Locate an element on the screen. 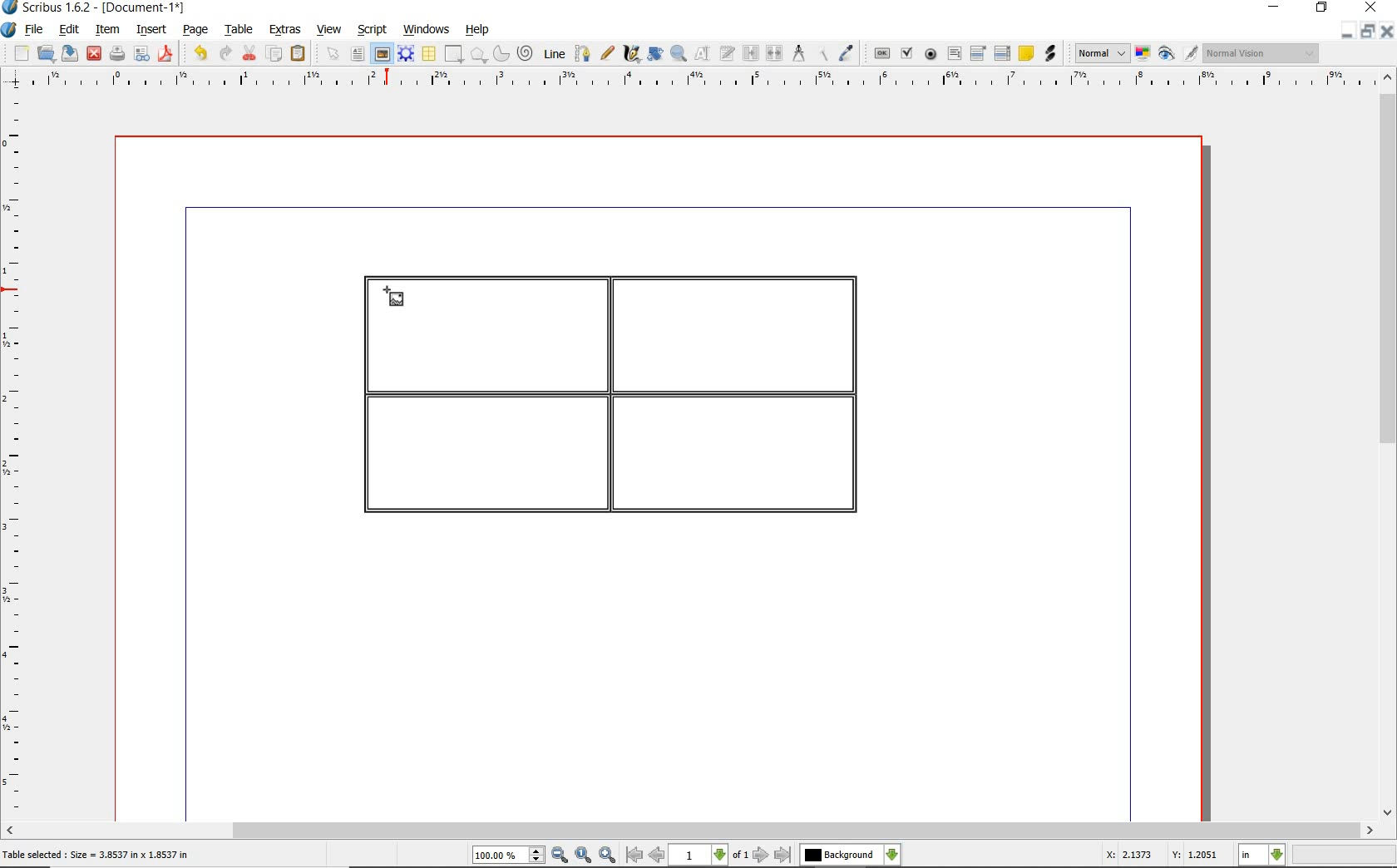 This screenshot has height=868, width=1397. item is located at coordinates (106, 30).